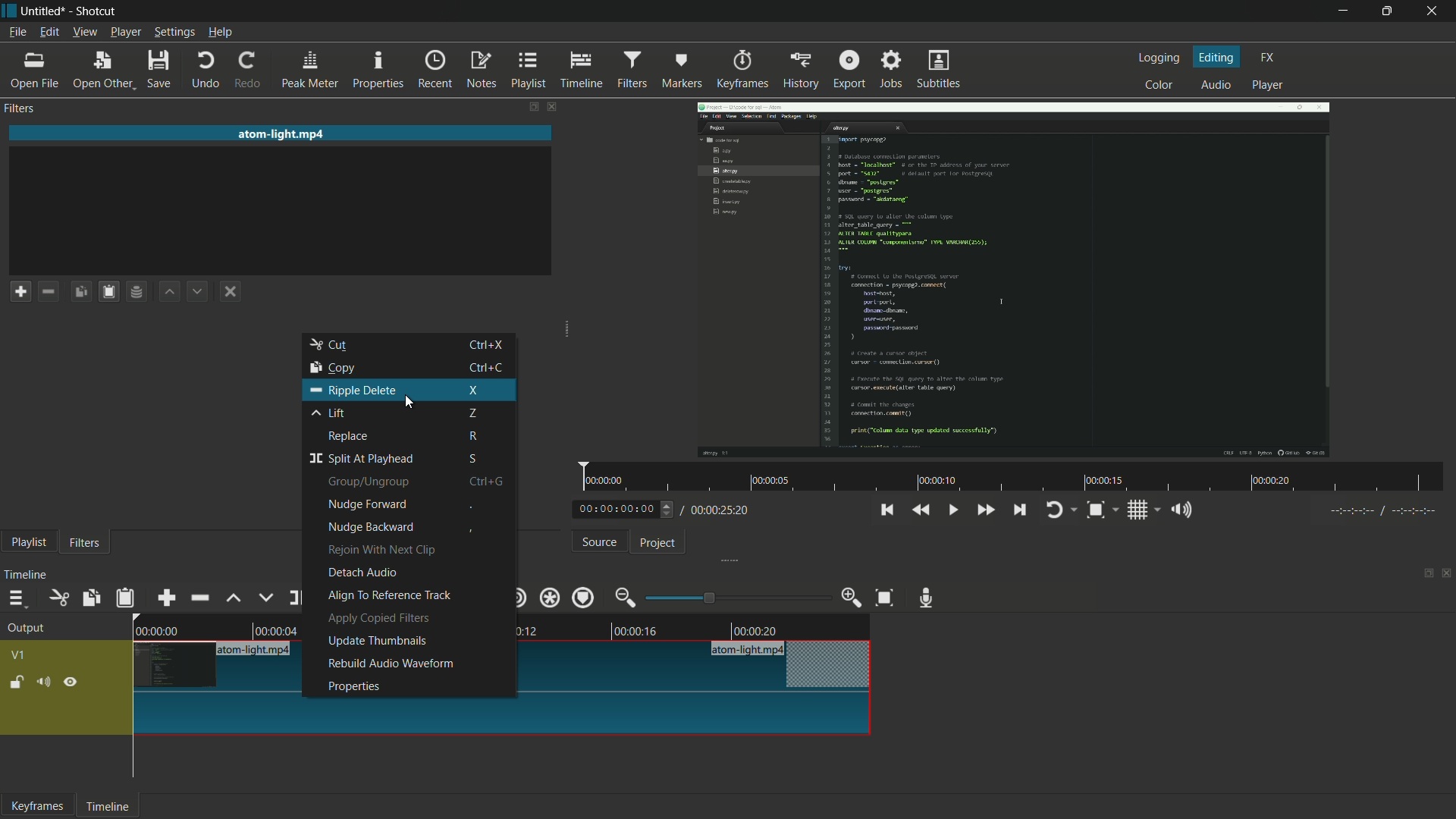  I want to click on paste filter, so click(108, 292).